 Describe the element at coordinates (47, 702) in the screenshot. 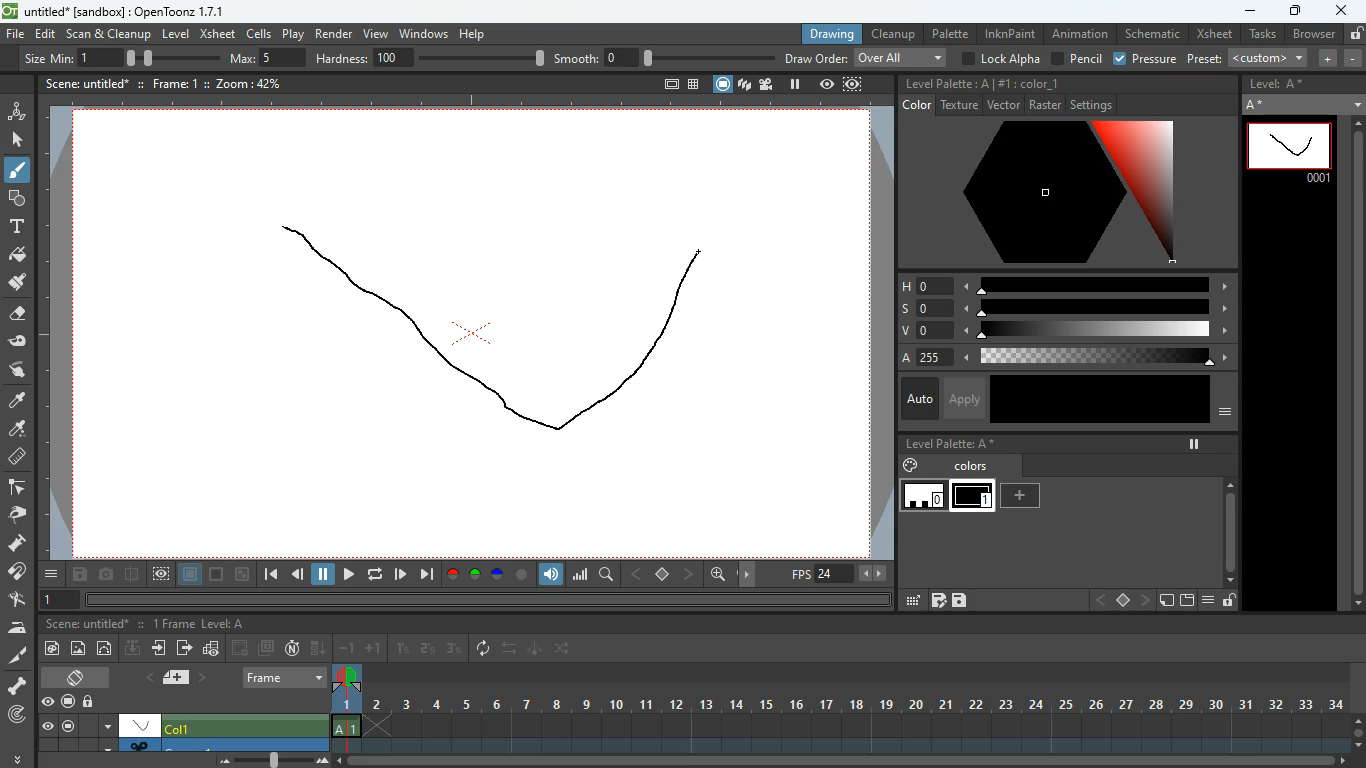

I see `view` at that location.